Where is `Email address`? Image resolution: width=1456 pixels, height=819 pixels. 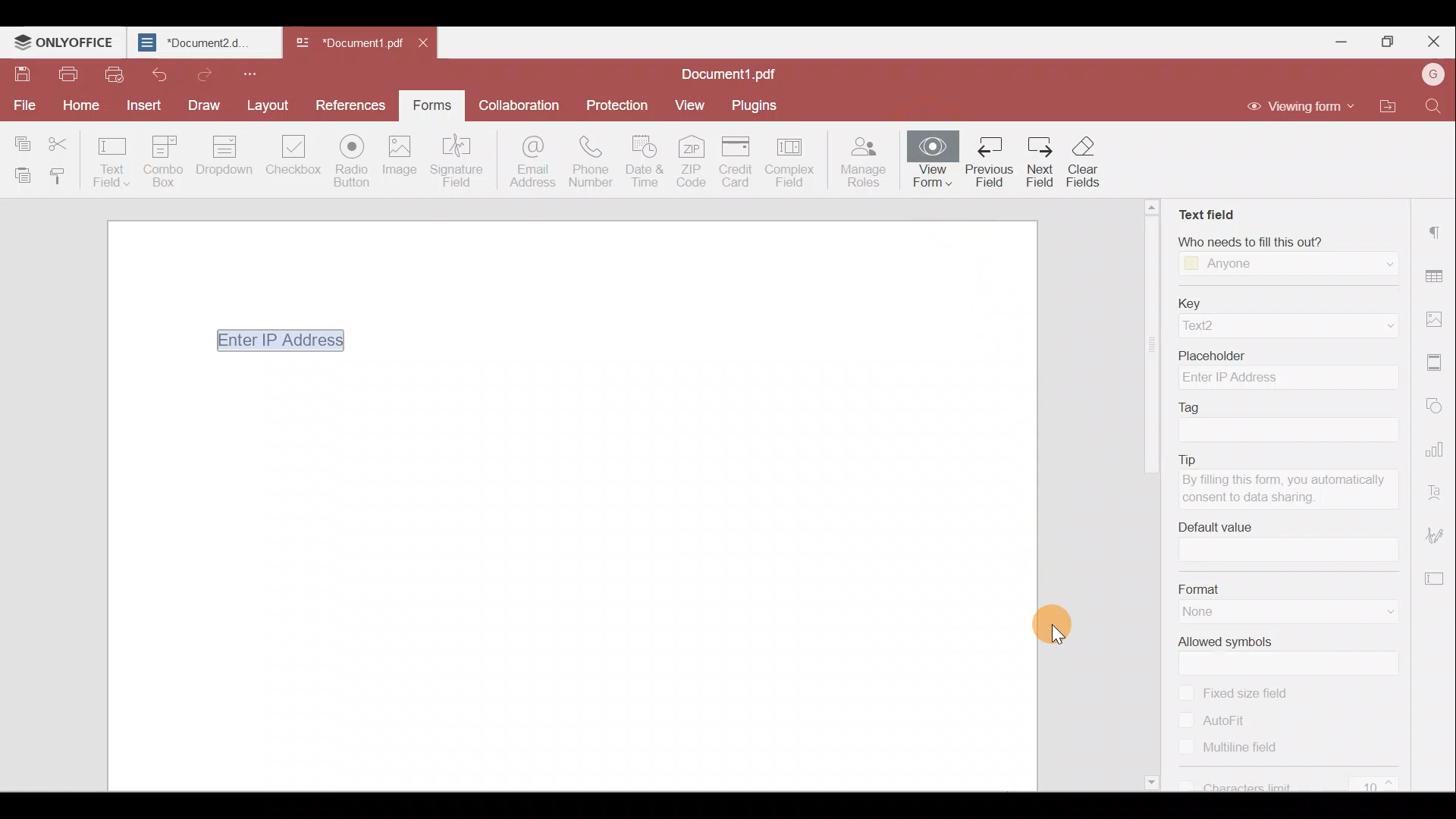 Email address is located at coordinates (526, 162).